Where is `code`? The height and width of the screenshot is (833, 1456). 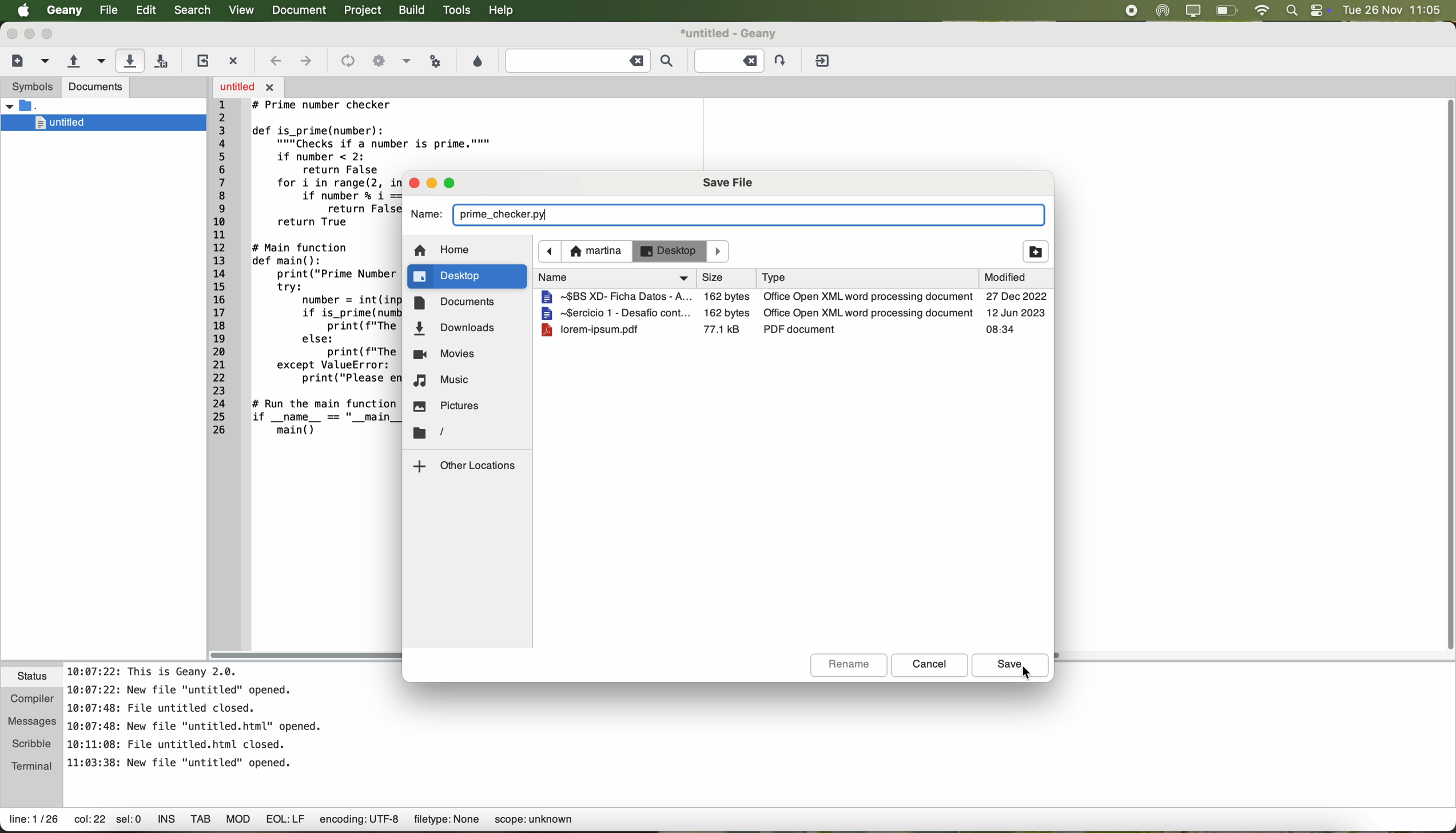
code is located at coordinates (459, 145).